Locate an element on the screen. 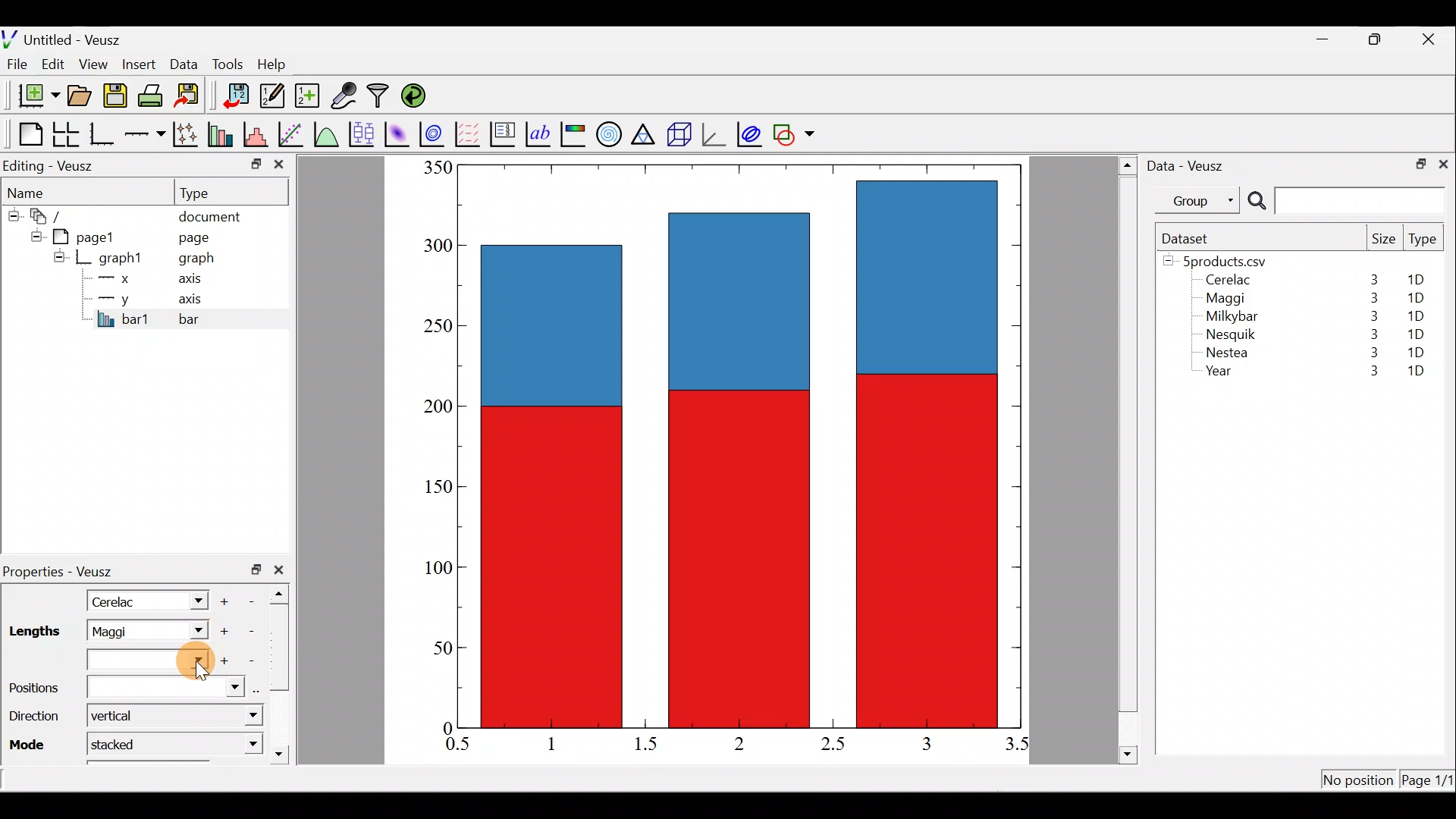 The height and width of the screenshot is (819, 1456). Data - Veusz is located at coordinates (1189, 164).